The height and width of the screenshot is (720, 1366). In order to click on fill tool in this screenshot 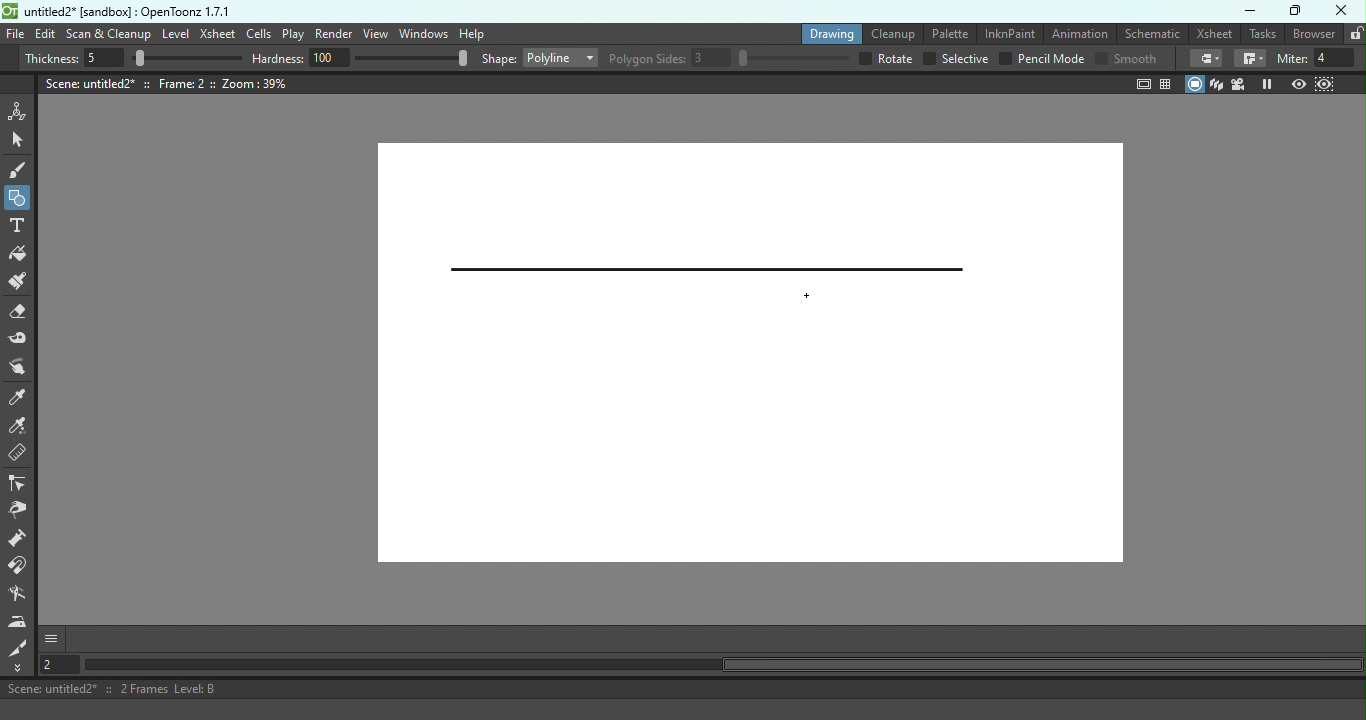, I will do `click(1206, 59)`.